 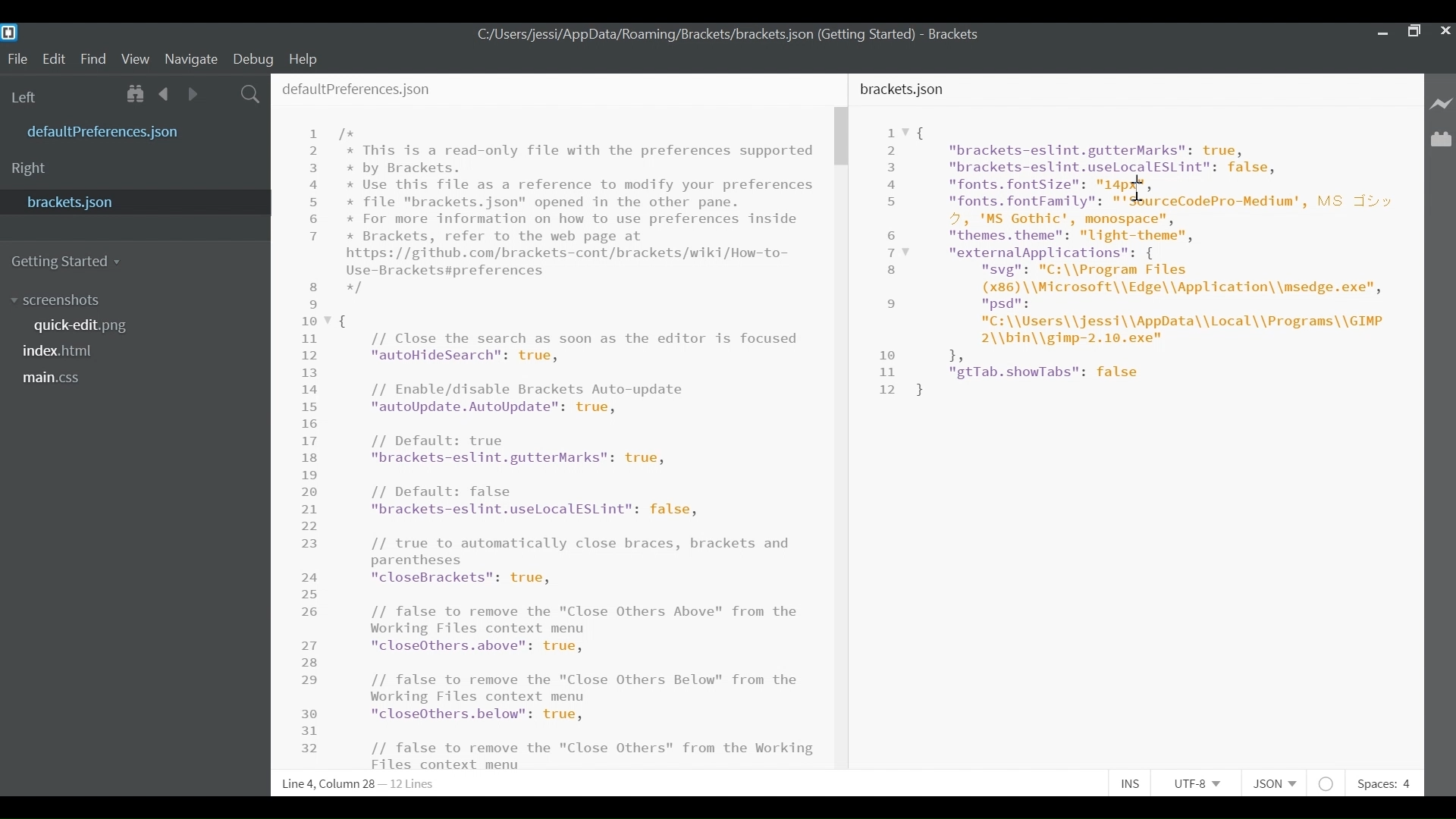 I want to click on Line Number, so click(x=315, y=439).